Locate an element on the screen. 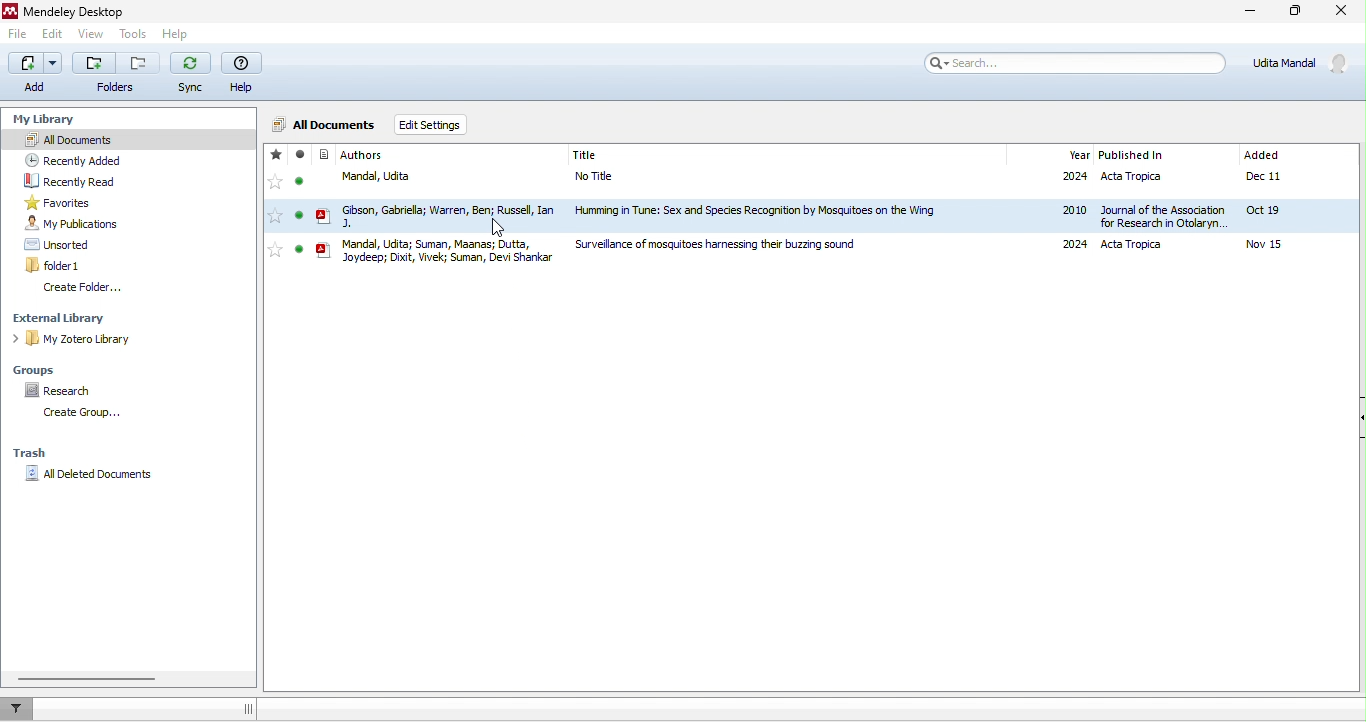 The width and height of the screenshot is (1366, 722). cursor is located at coordinates (505, 225).